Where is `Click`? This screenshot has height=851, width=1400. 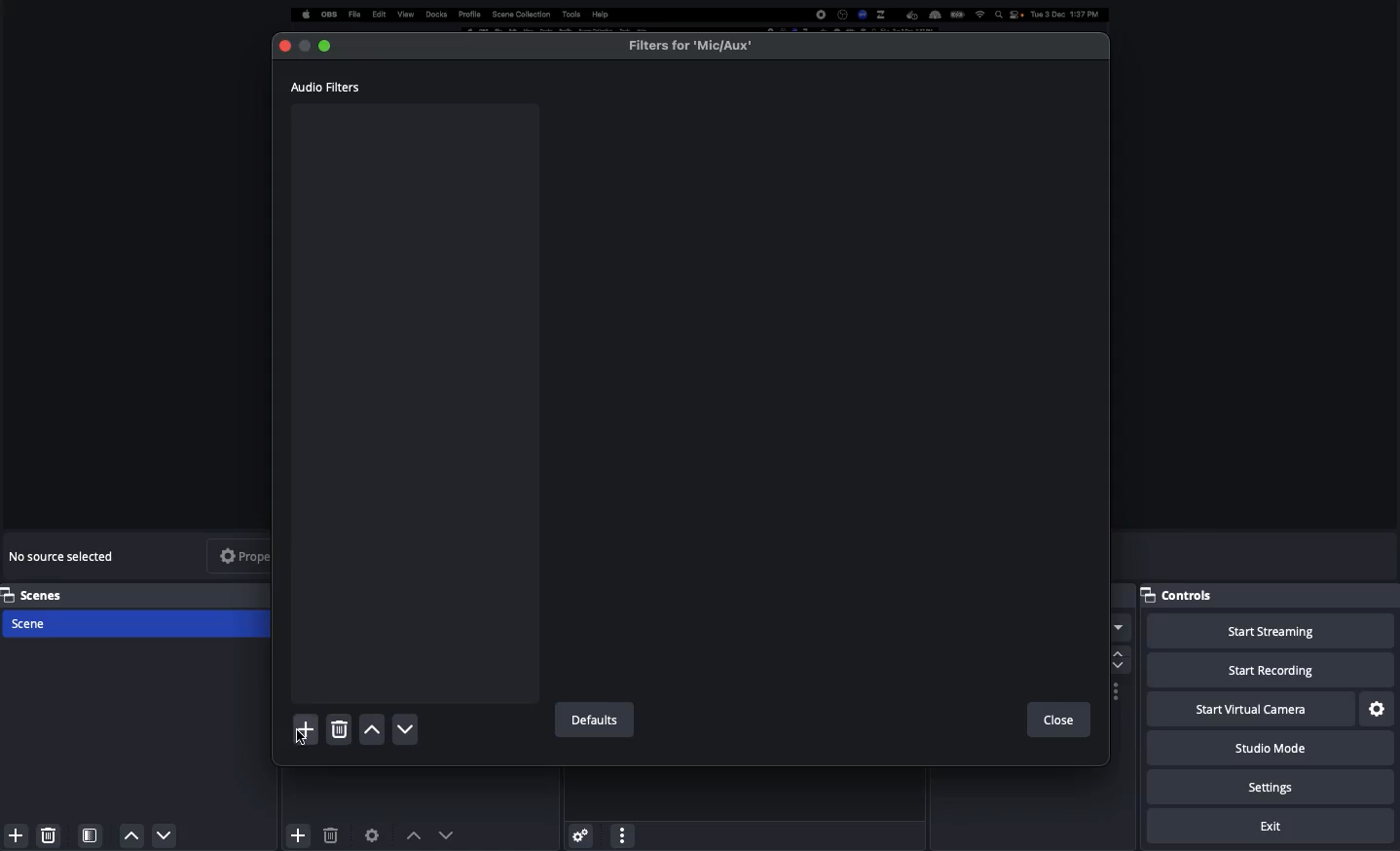 Click is located at coordinates (299, 741).